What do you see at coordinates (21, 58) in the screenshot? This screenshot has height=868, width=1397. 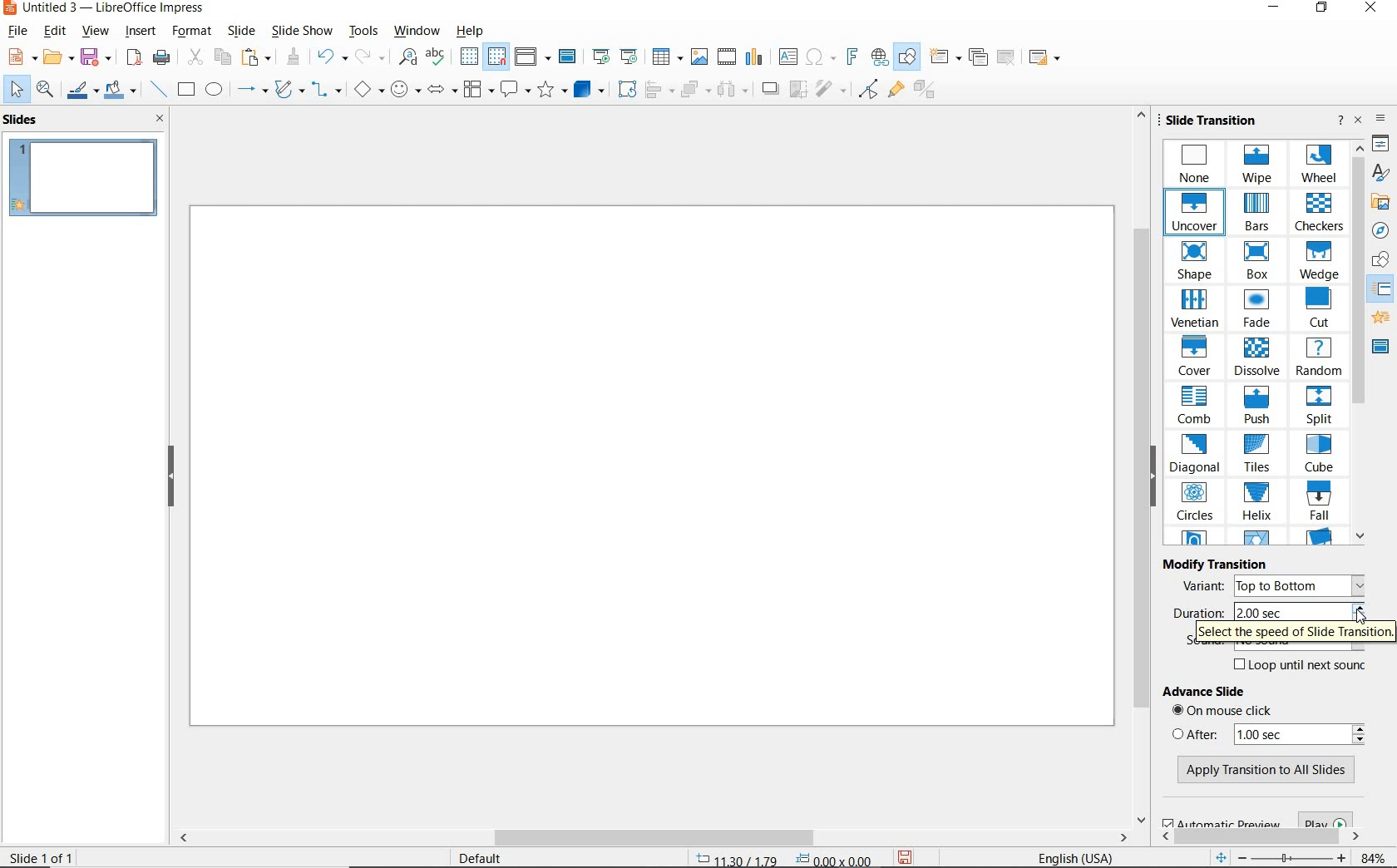 I see `NEW` at bounding box center [21, 58].